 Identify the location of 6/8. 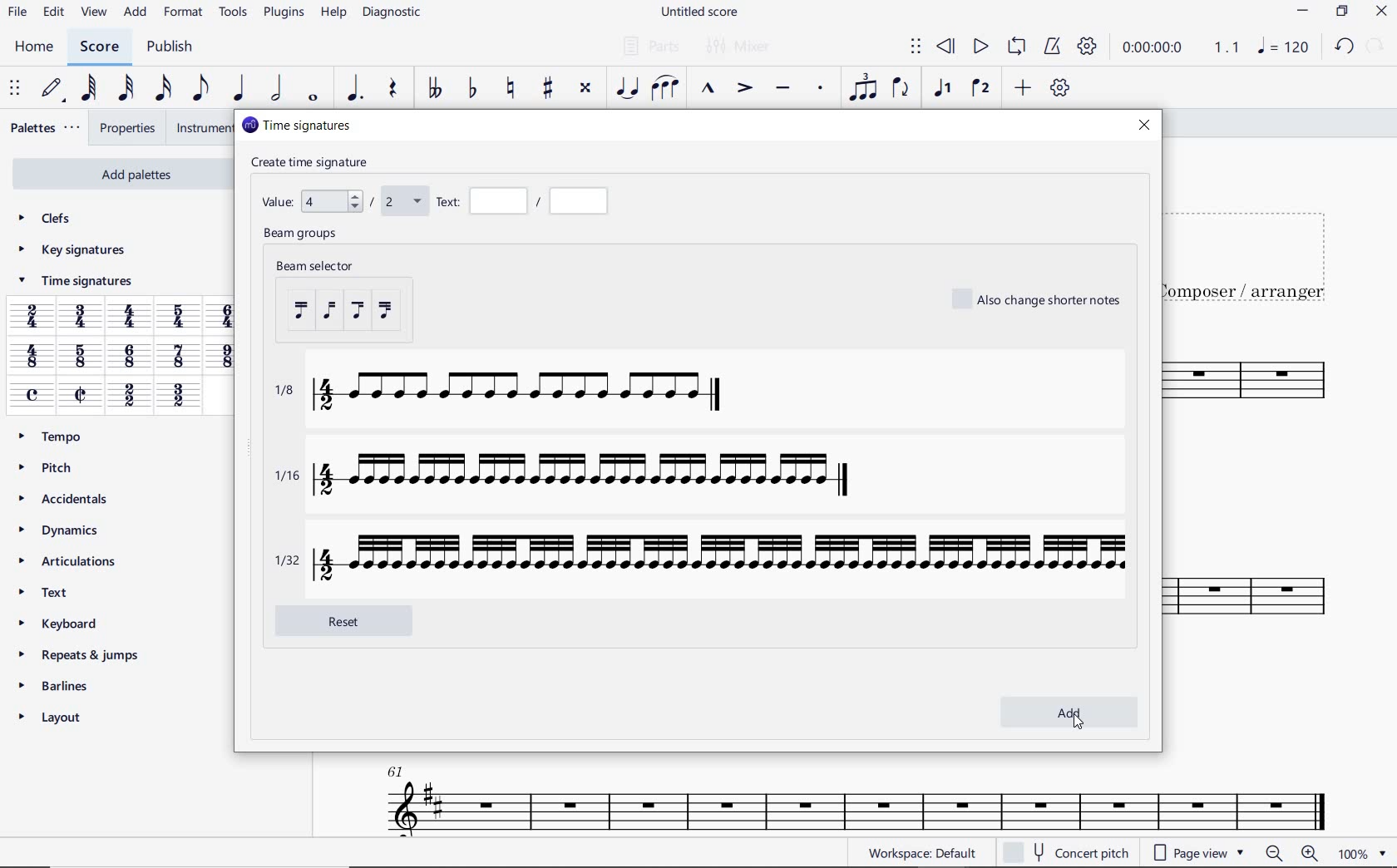
(131, 357).